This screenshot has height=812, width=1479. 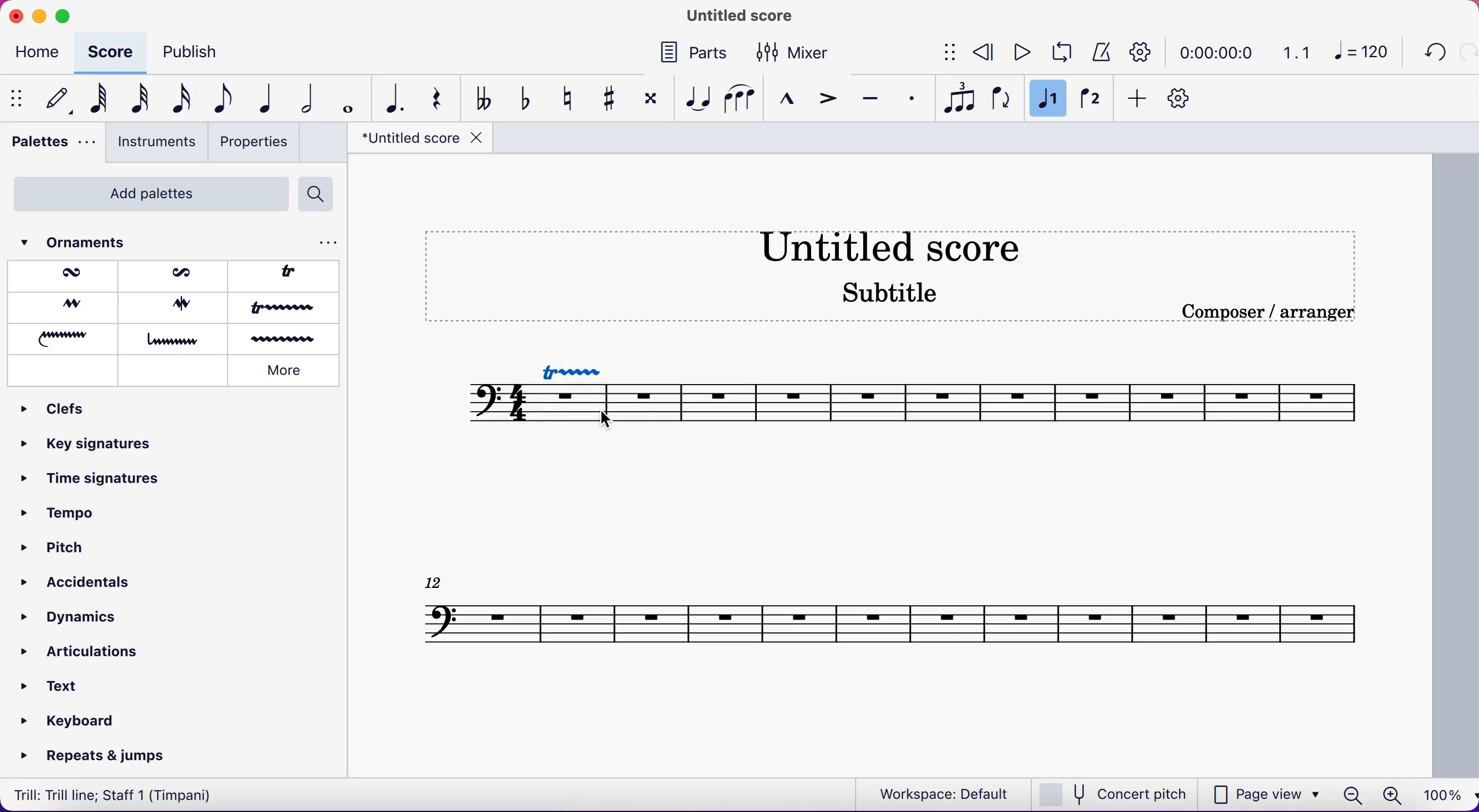 I want to click on playback loop, so click(x=1060, y=54).